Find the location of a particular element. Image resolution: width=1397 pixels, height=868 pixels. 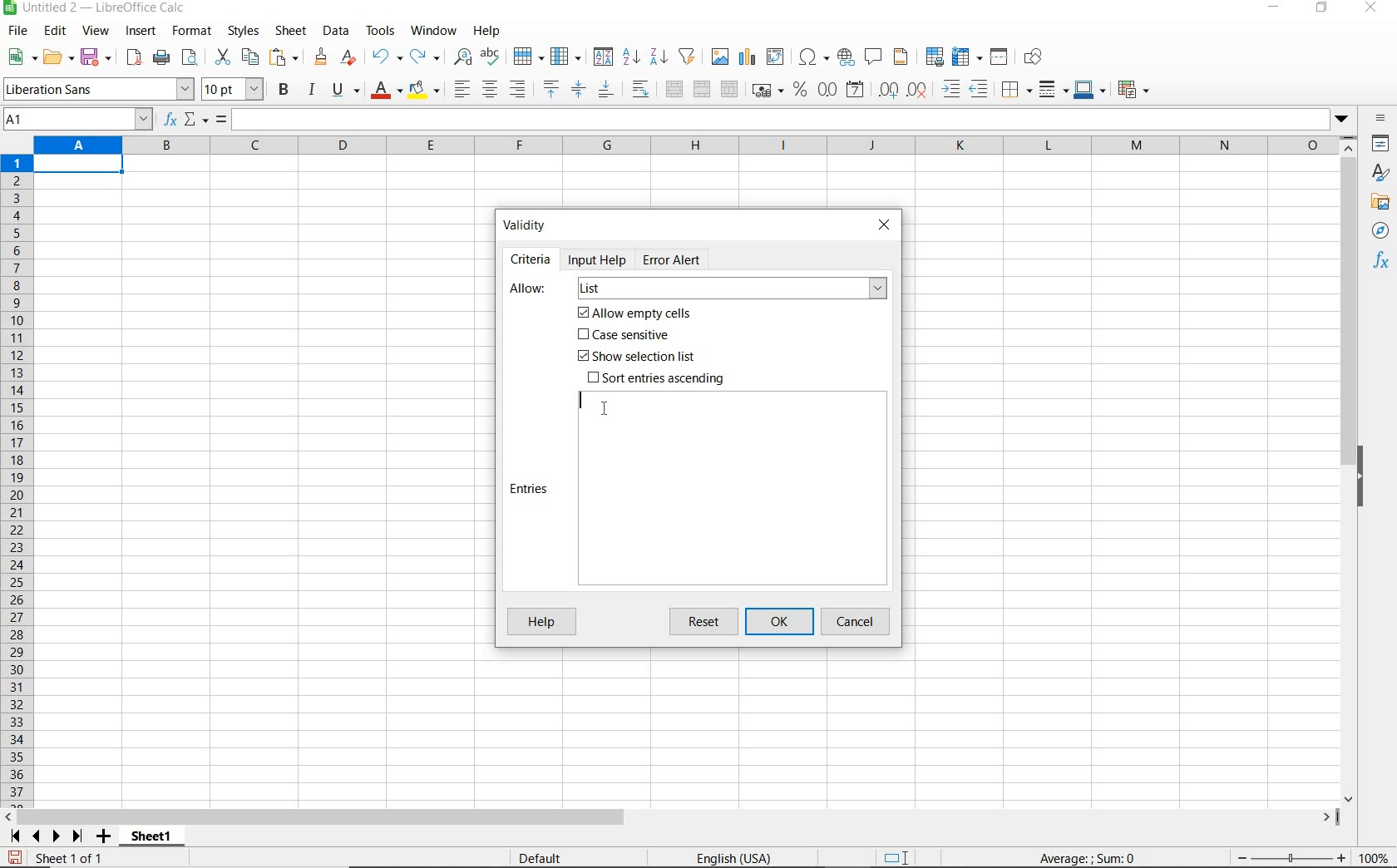

wrap text is located at coordinates (643, 88).